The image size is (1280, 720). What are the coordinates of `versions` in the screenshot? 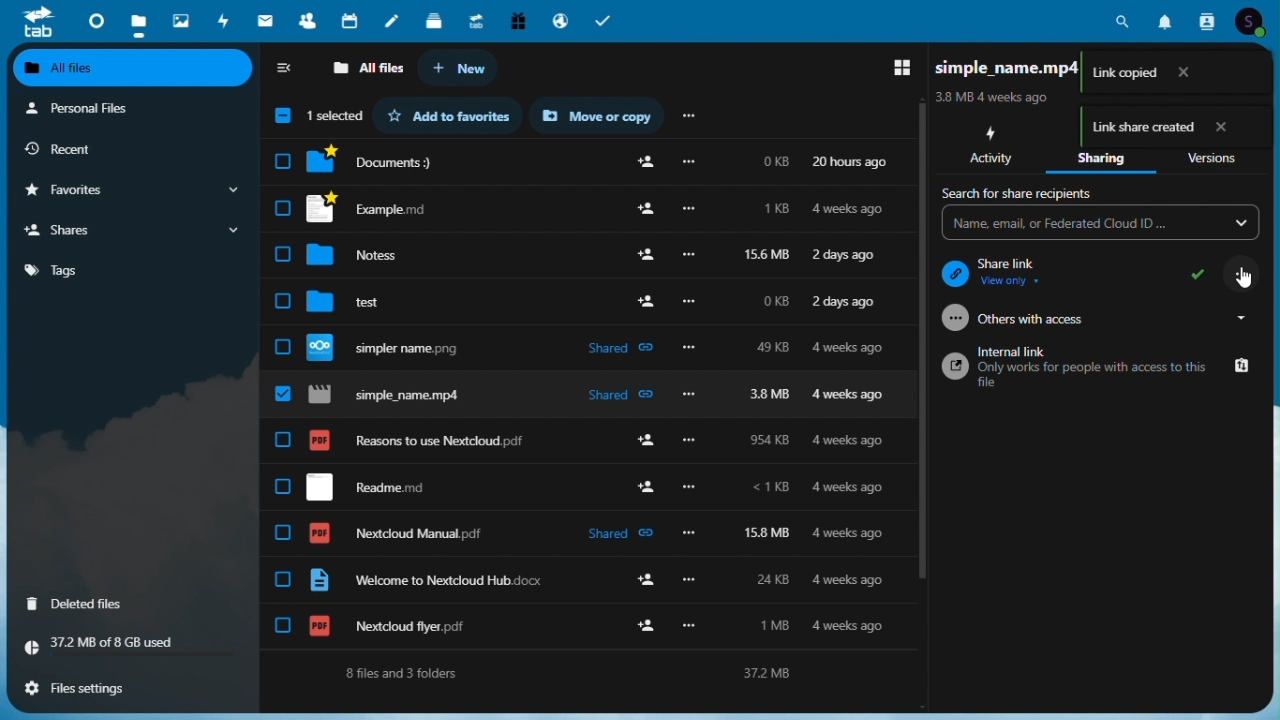 It's located at (1215, 147).